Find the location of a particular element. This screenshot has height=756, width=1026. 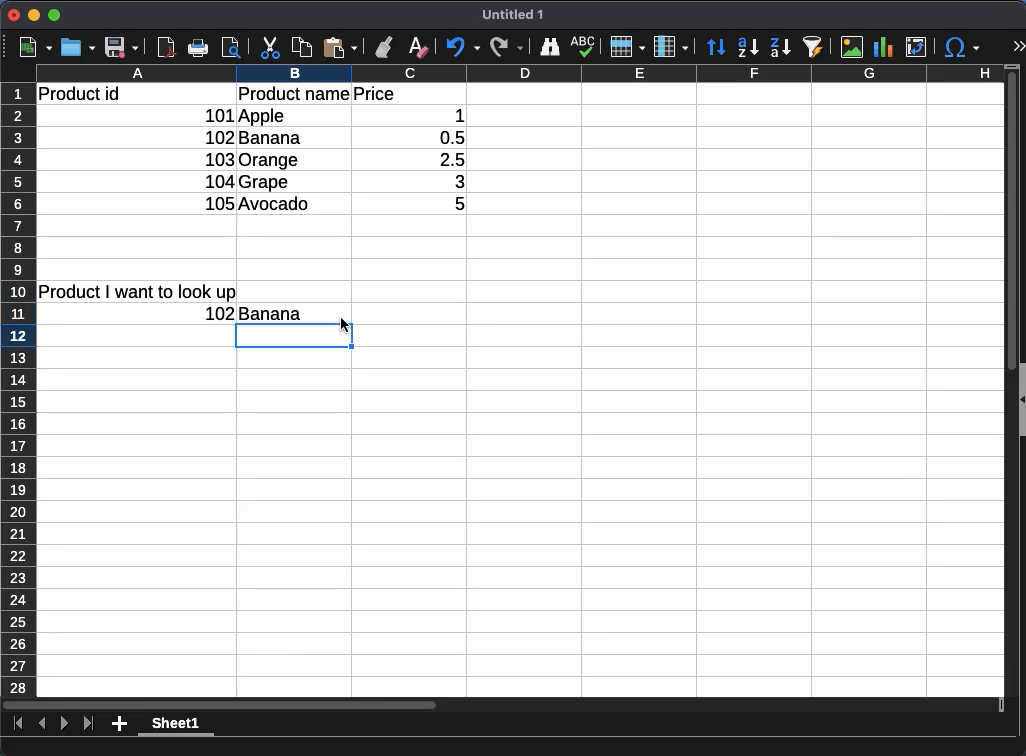

Collapse/Expand is located at coordinates (1023, 400).